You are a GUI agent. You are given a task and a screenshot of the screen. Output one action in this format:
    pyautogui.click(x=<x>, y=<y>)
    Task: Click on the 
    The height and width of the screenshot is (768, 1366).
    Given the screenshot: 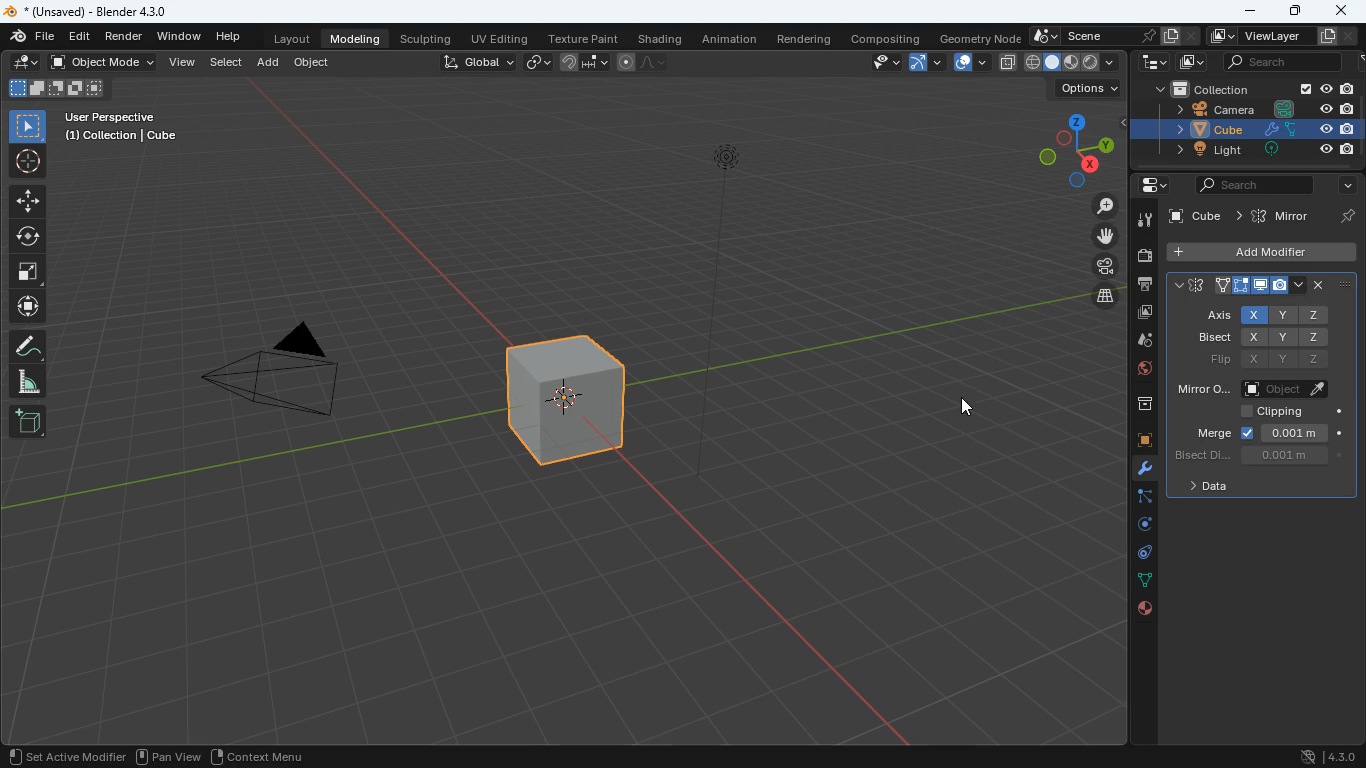 What is the action you would take?
    pyautogui.click(x=1286, y=108)
    